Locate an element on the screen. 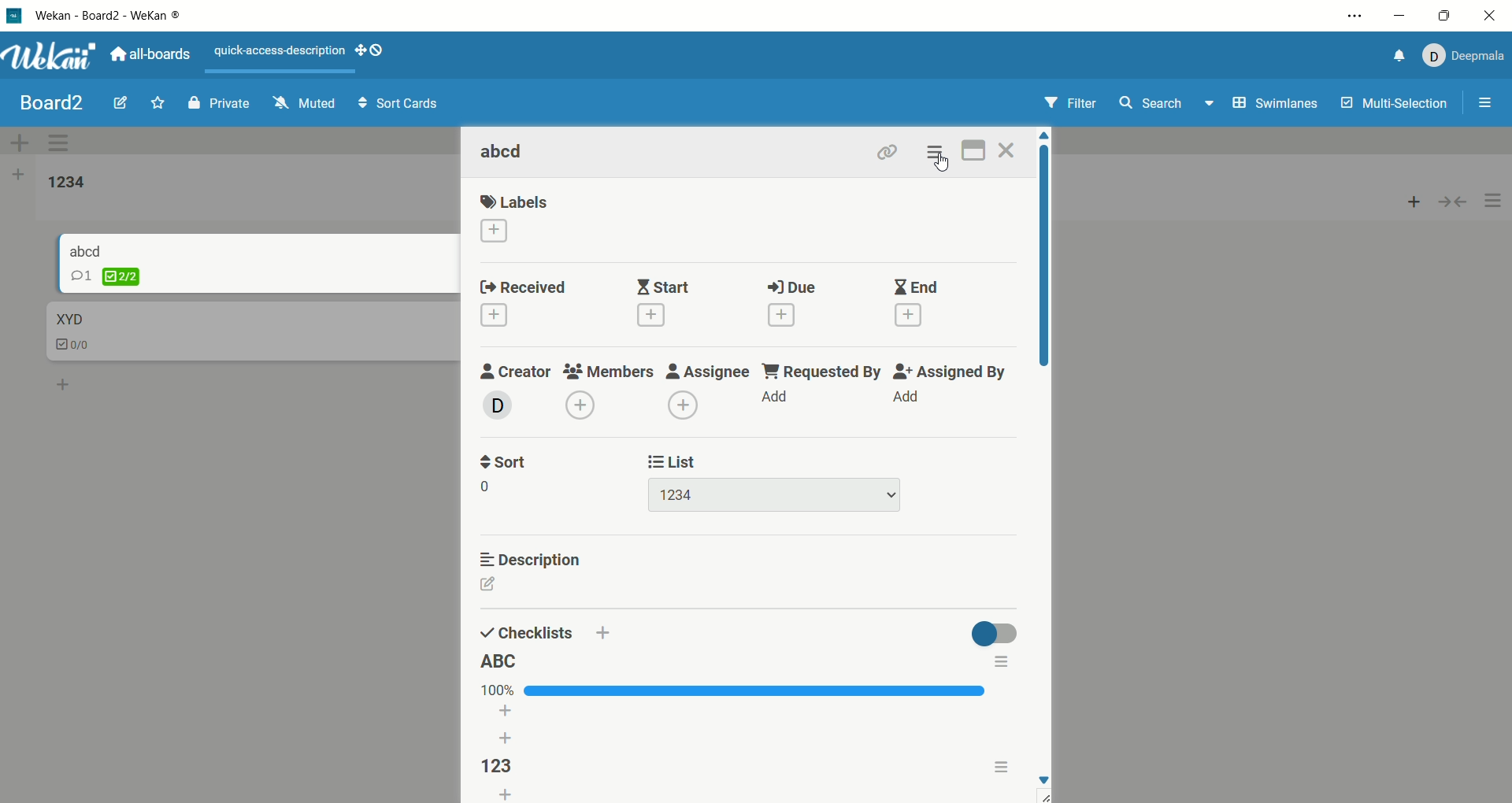  list title is located at coordinates (62, 181).